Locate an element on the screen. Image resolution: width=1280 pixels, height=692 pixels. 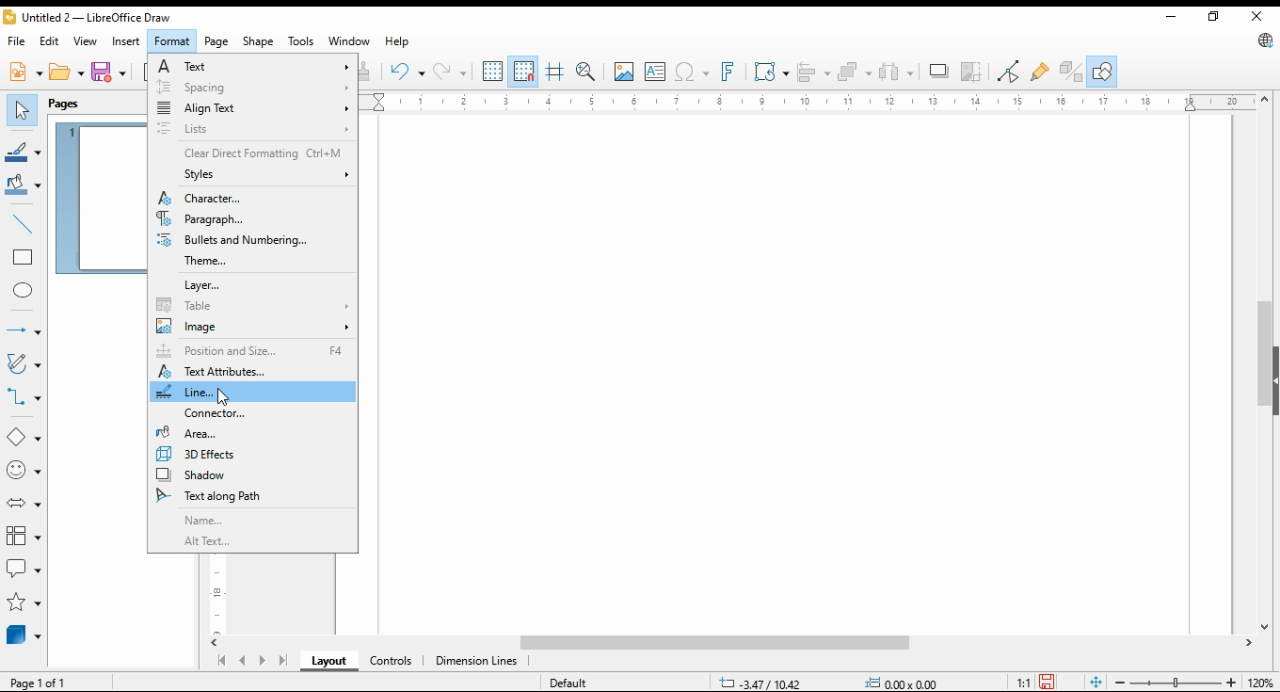
horizontal scale is located at coordinates (801, 101).